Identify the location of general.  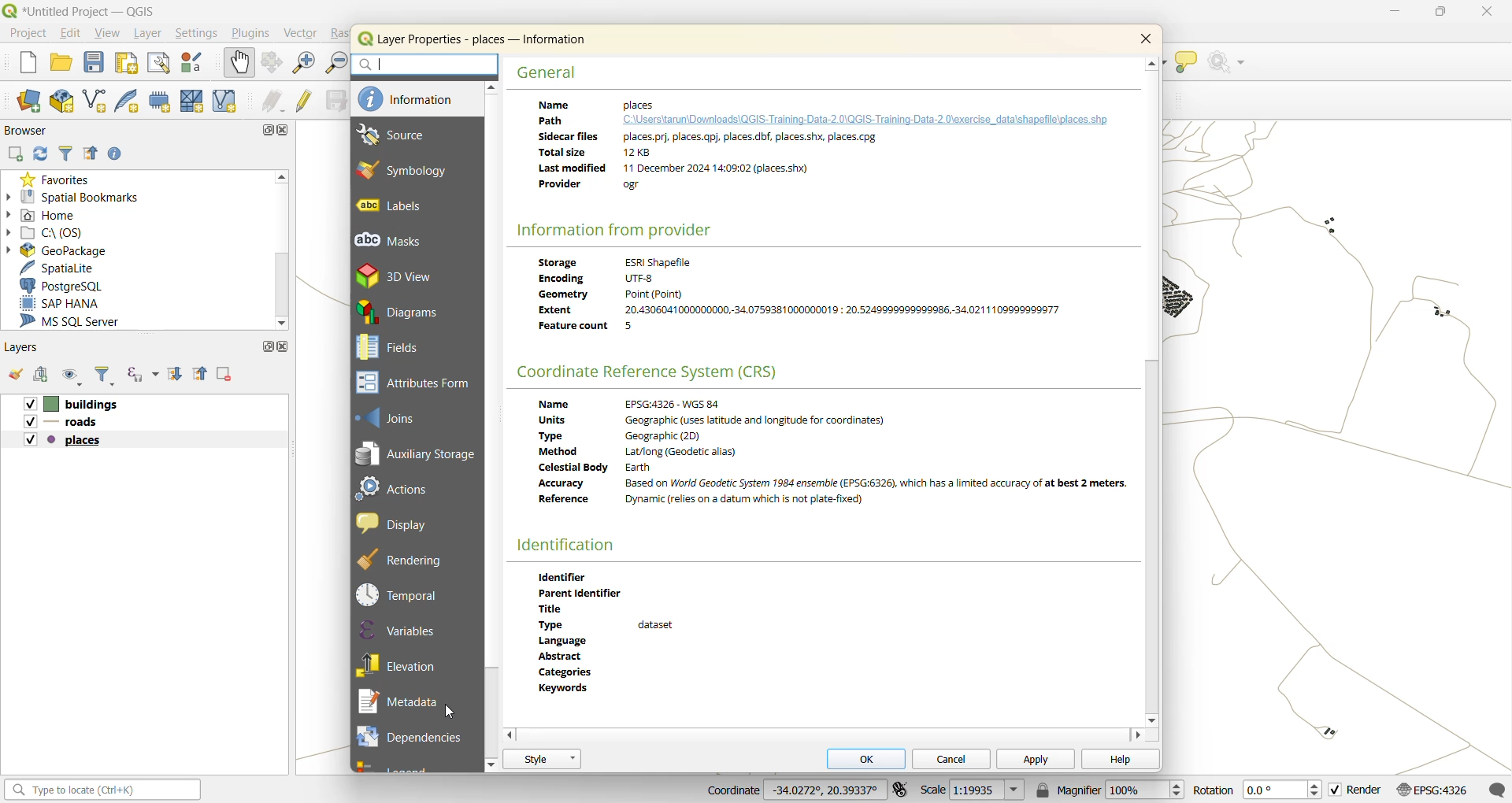
(548, 72).